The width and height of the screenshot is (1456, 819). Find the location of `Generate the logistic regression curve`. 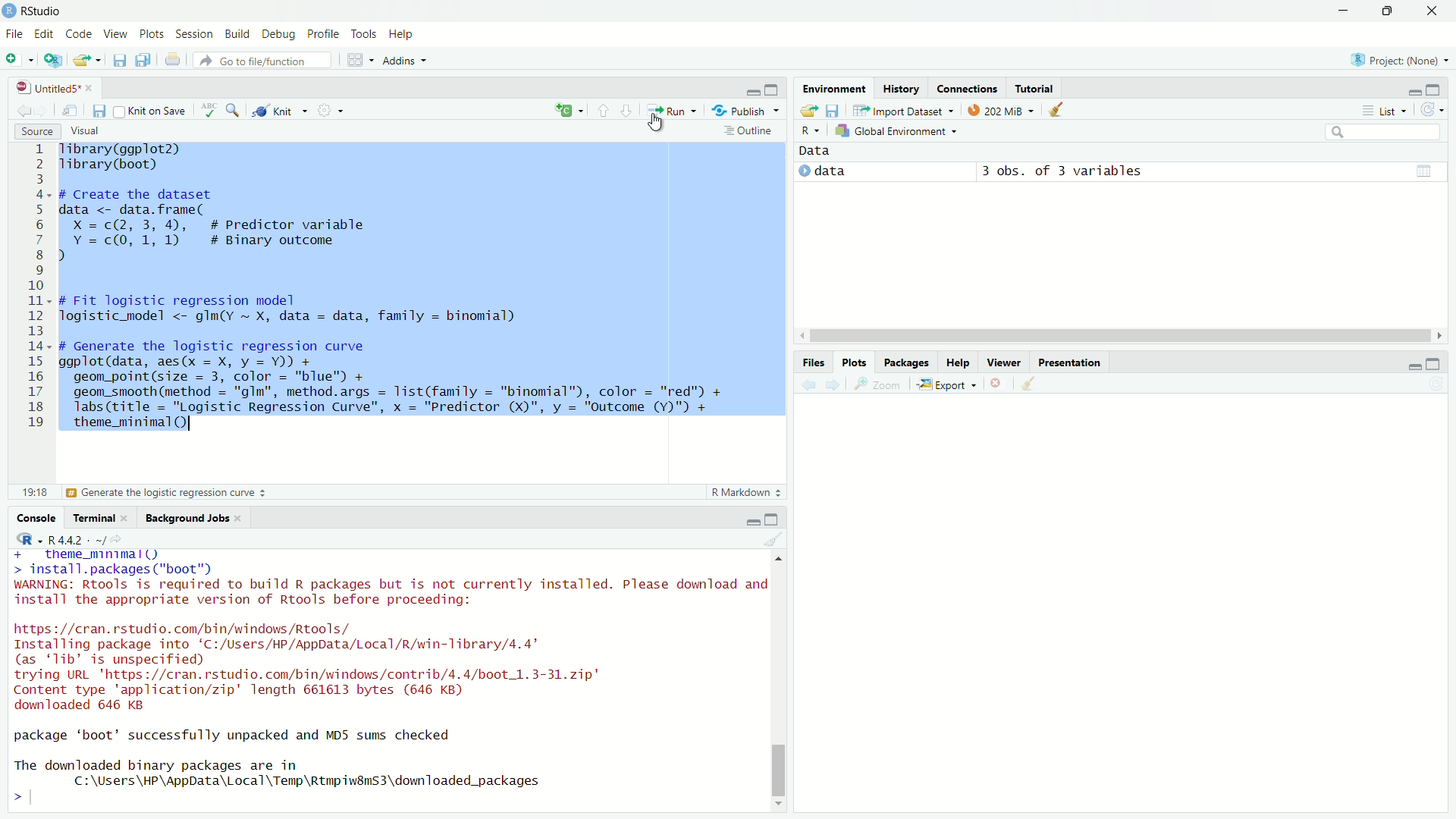

Generate the logistic regression curve is located at coordinates (168, 493).